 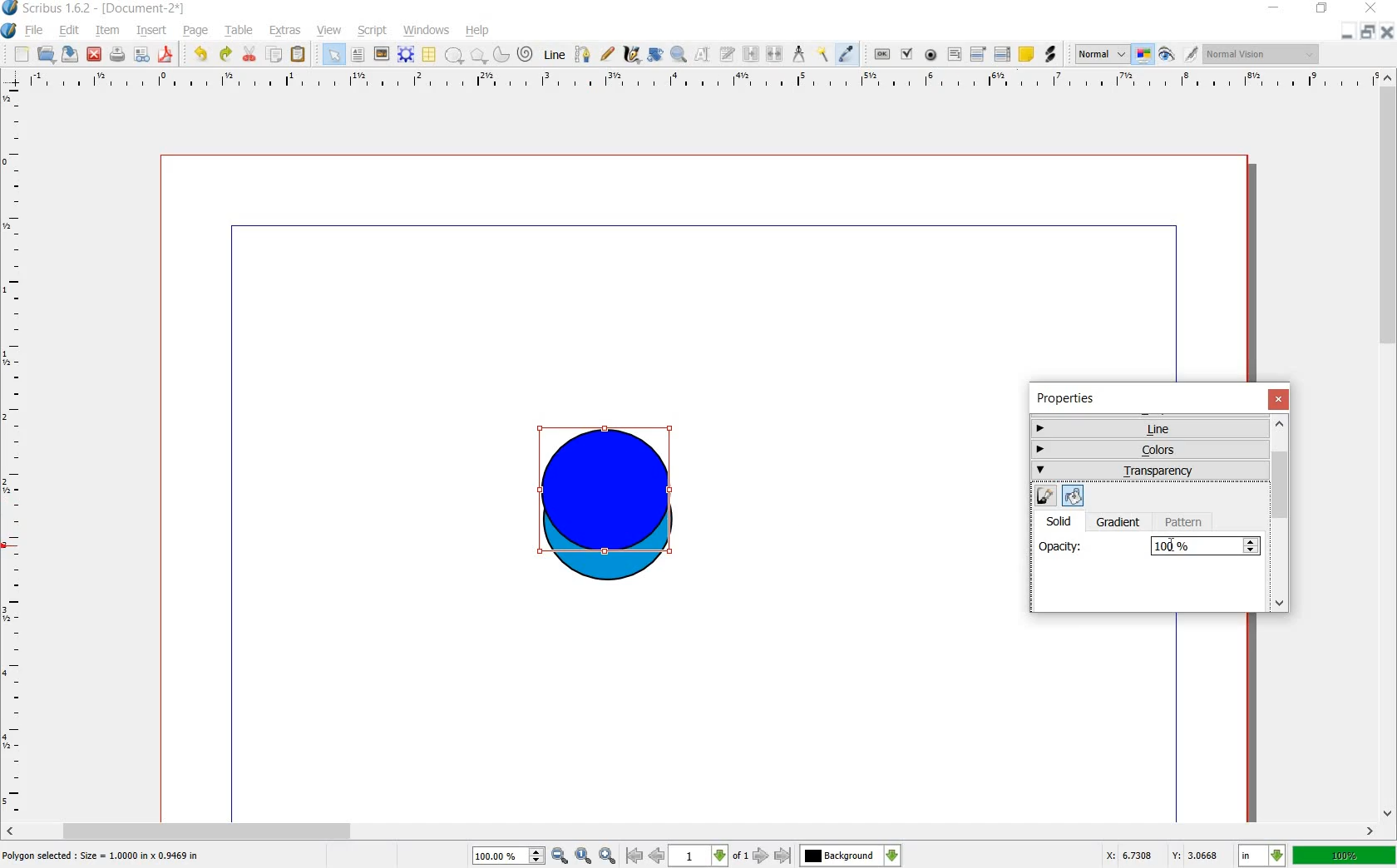 I want to click on minimize, so click(x=1346, y=33).